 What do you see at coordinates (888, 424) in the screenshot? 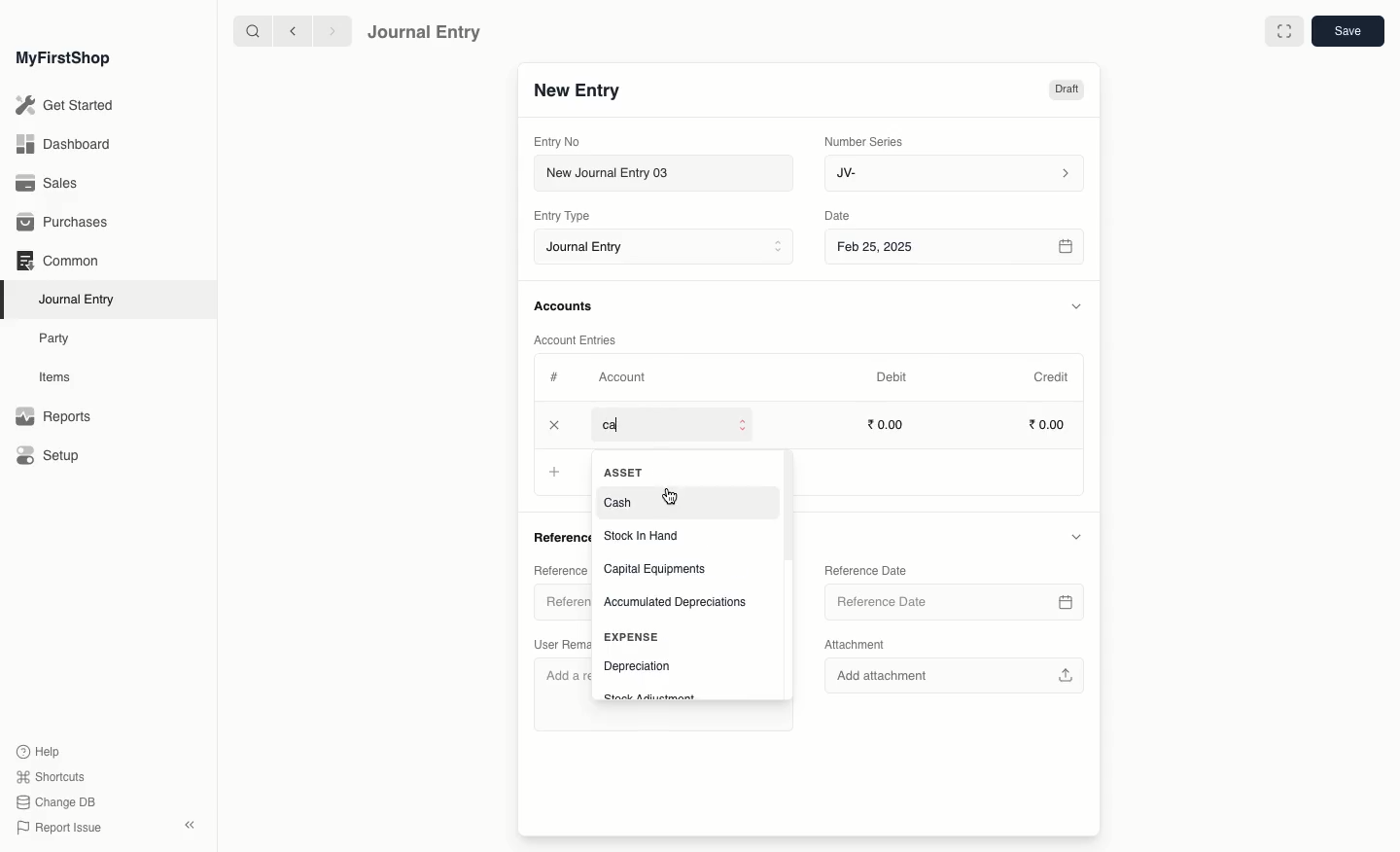
I see `0.00` at bounding box center [888, 424].